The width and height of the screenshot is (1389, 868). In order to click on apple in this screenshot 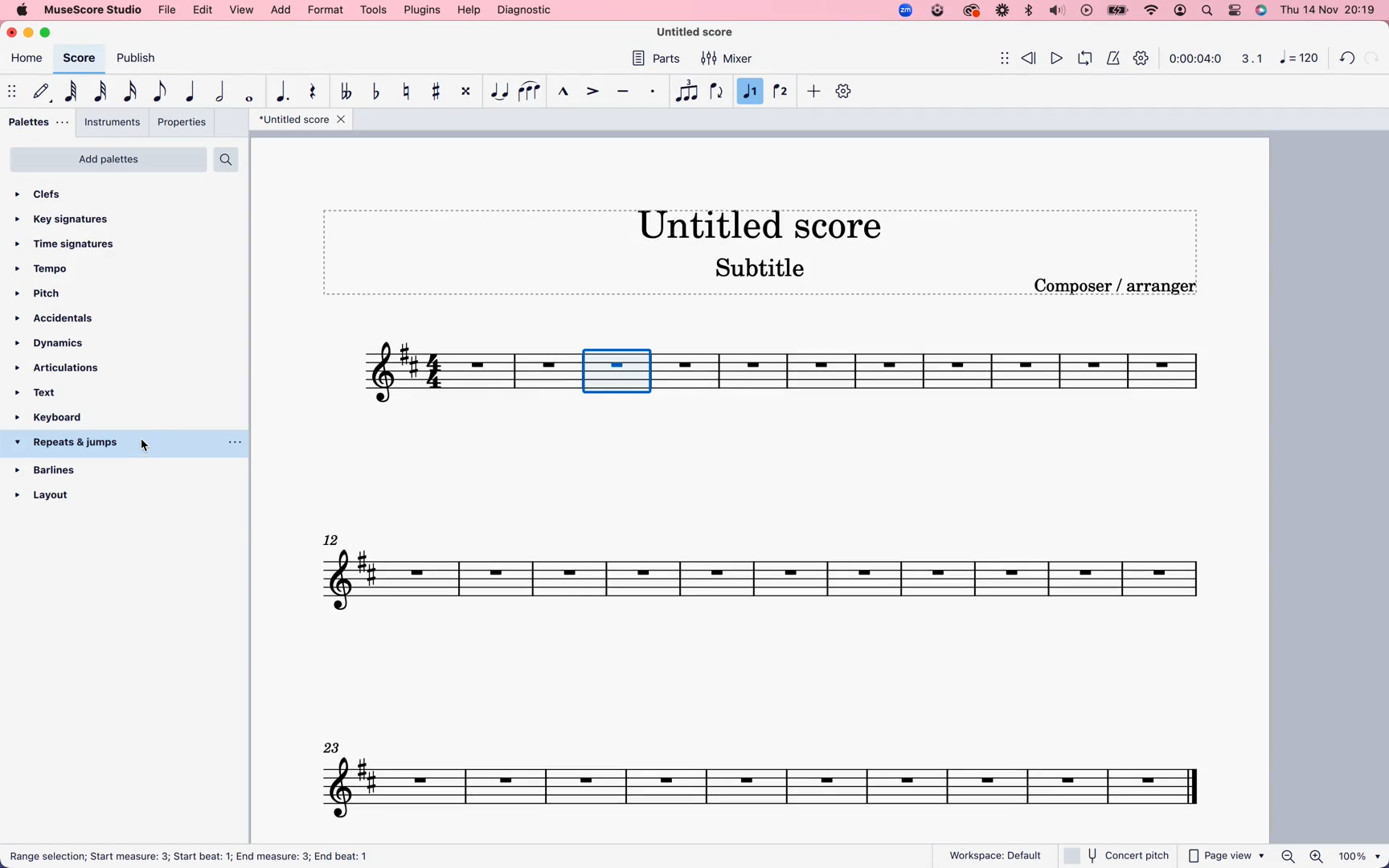, I will do `click(21, 10)`.